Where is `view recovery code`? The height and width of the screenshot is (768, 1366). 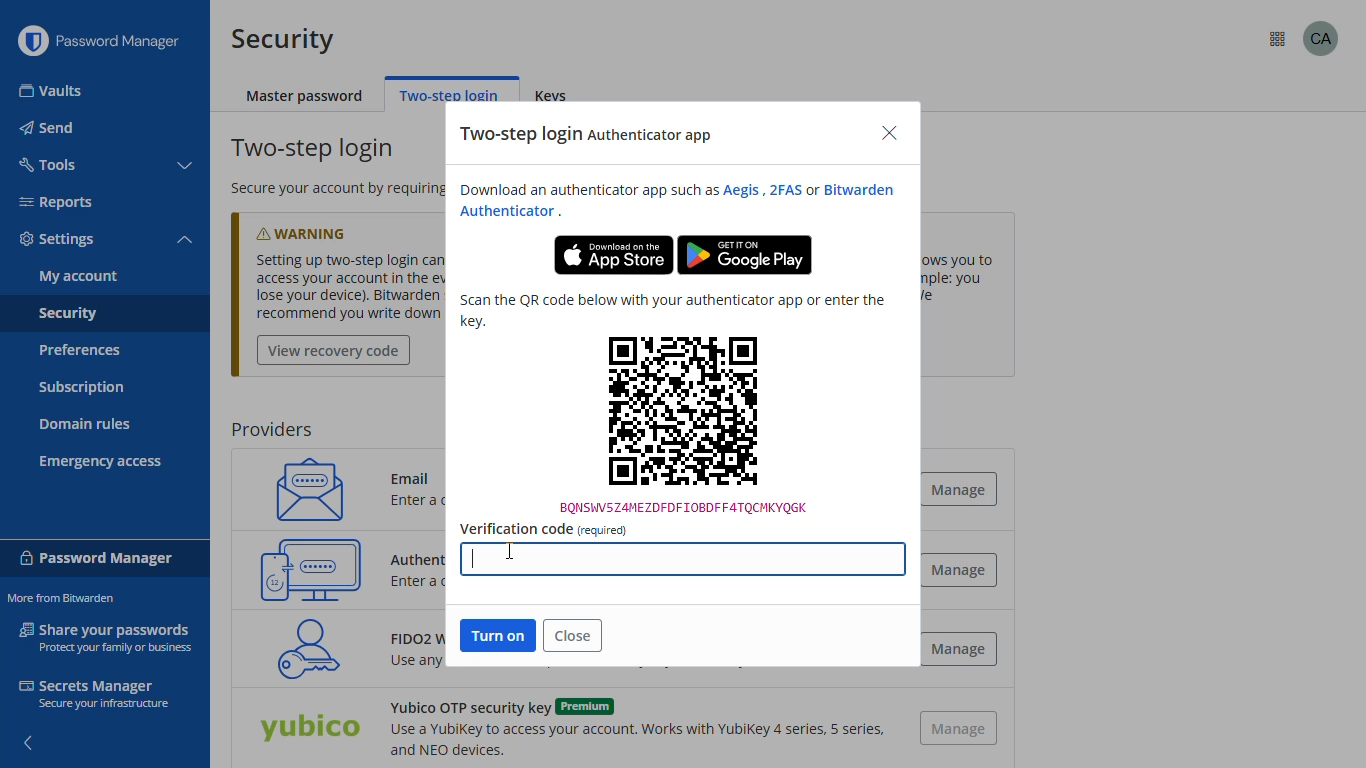 view recovery code is located at coordinates (334, 351).